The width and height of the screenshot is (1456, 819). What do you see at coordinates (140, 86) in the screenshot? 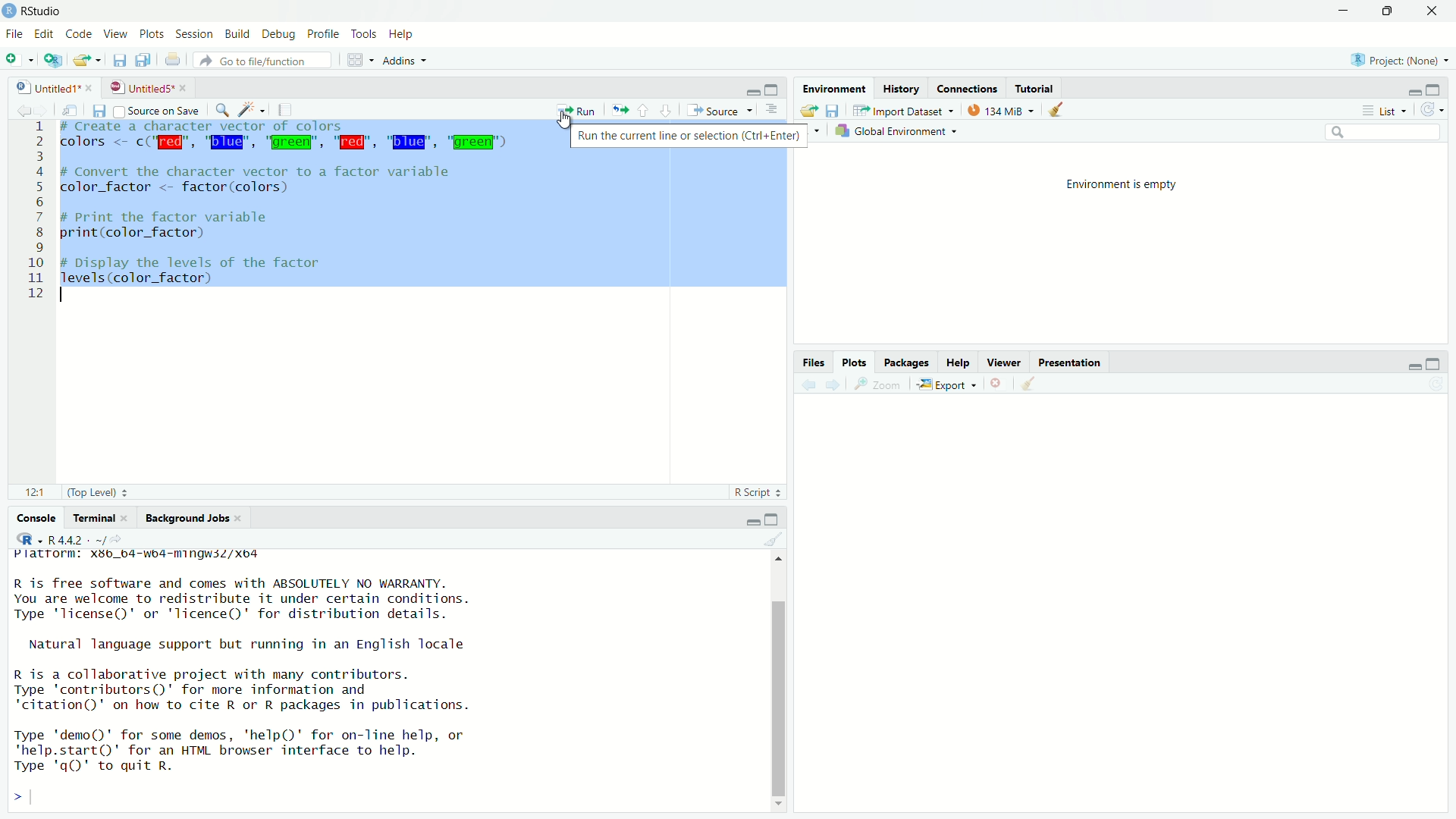
I see `untitled5` at bounding box center [140, 86].